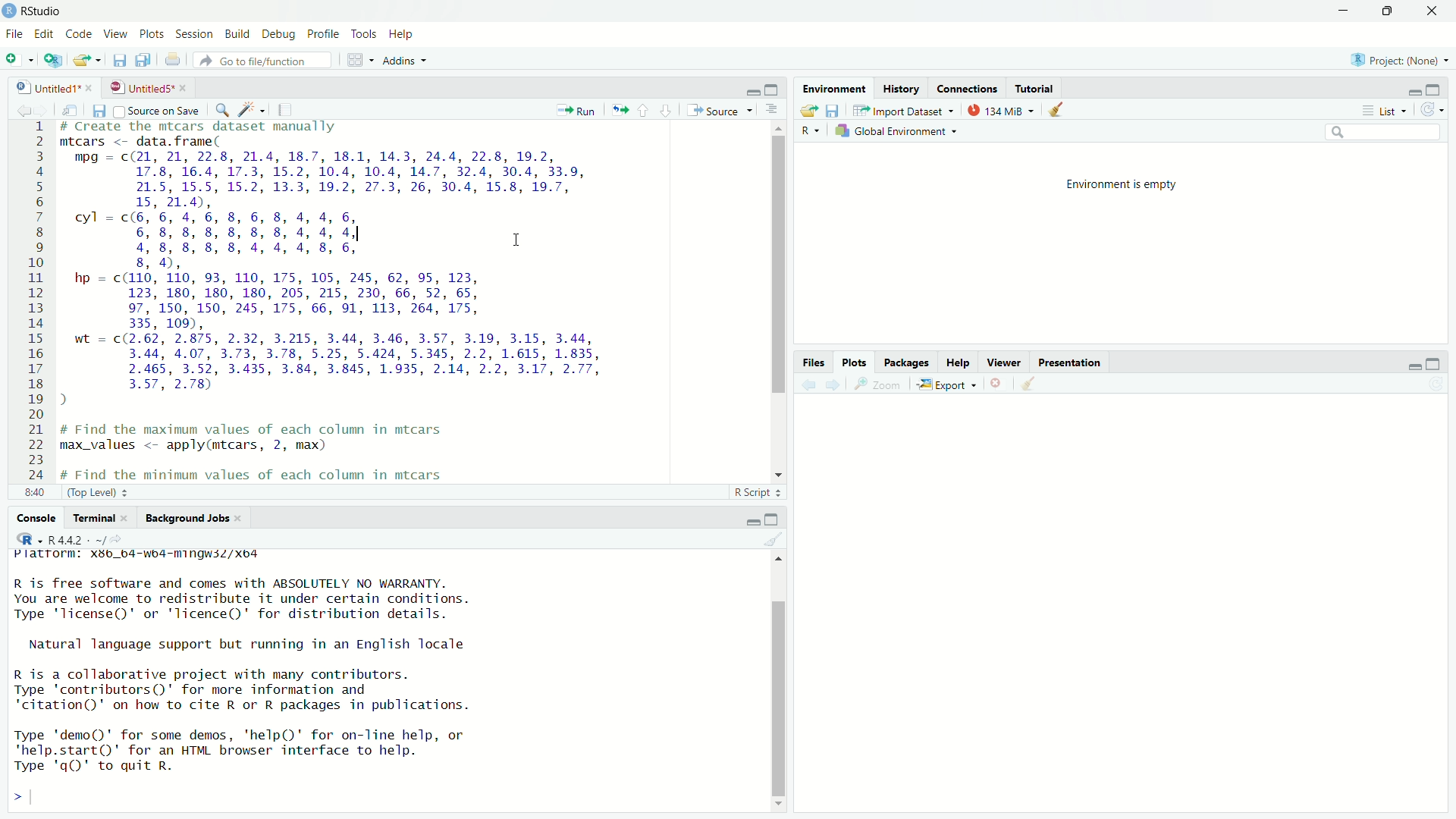 The width and height of the screenshot is (1456, 819). What do you see at coordinates (400, 60) in the screenshot?
I see `+ Addins +` at bounding box center [400, 60].